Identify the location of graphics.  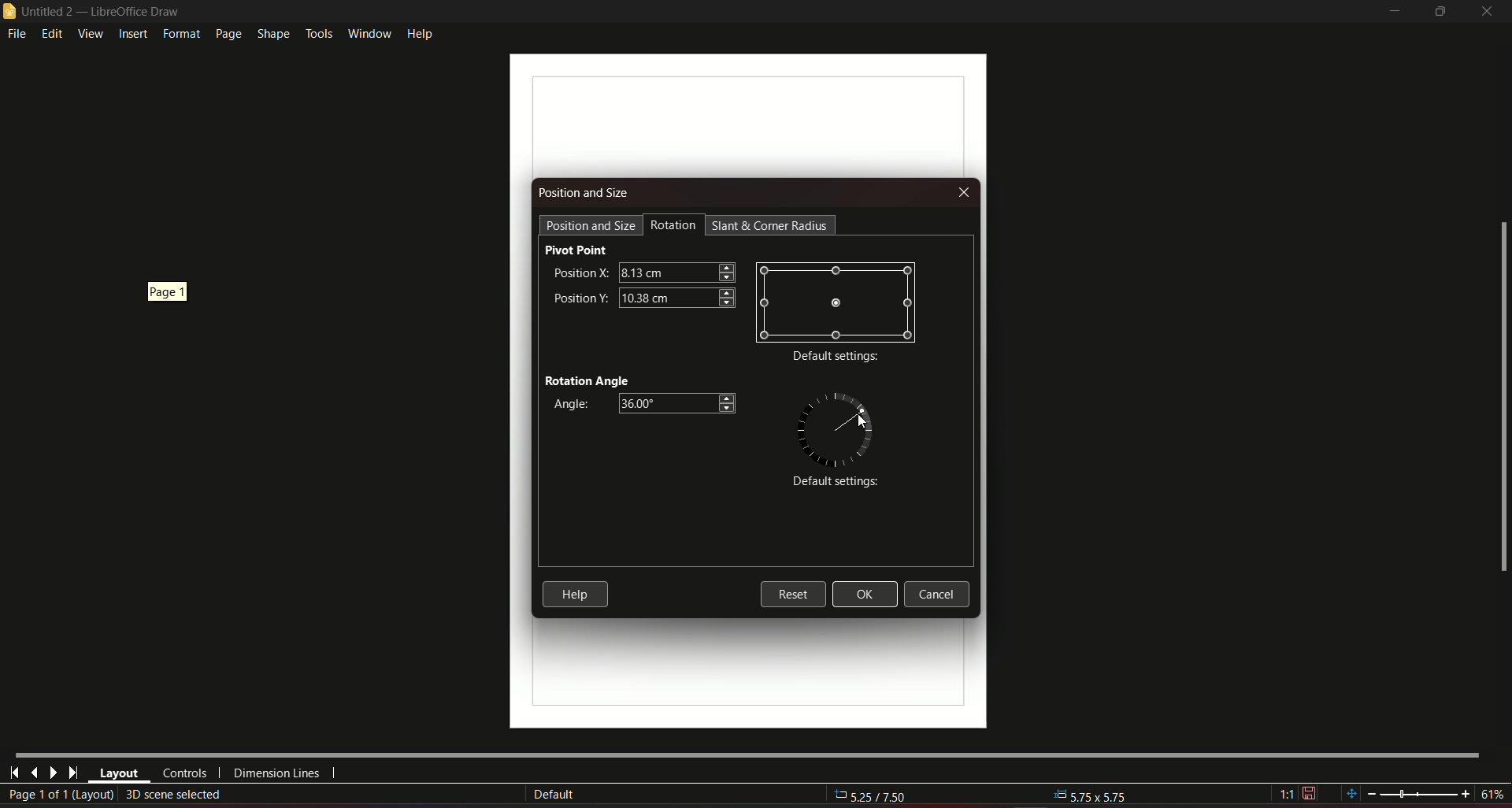
(836, 427).